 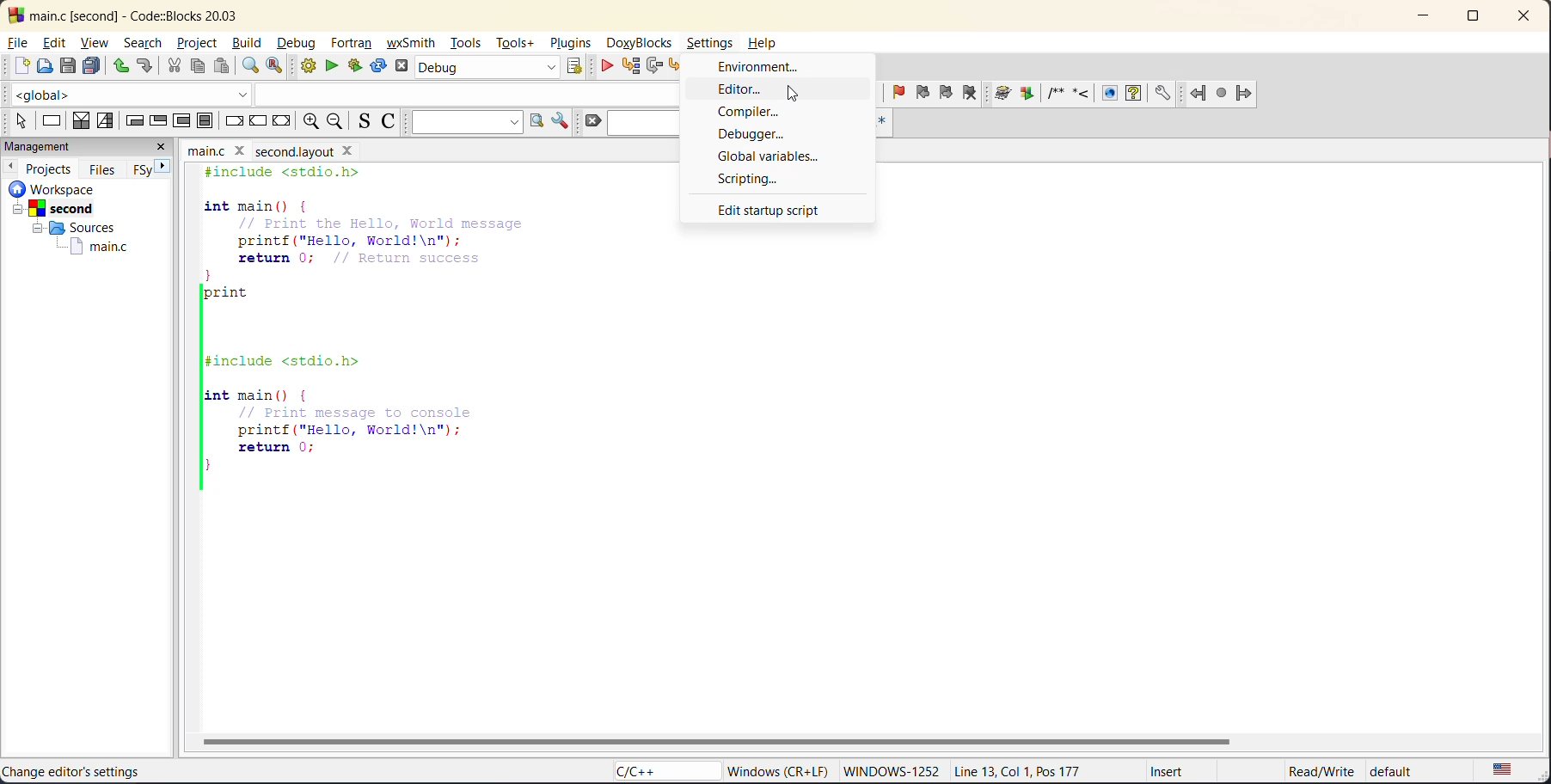 What do you see at coordinates (76, 188) in the screenshot?
I see `workspace` at bounding box center [76, 188].